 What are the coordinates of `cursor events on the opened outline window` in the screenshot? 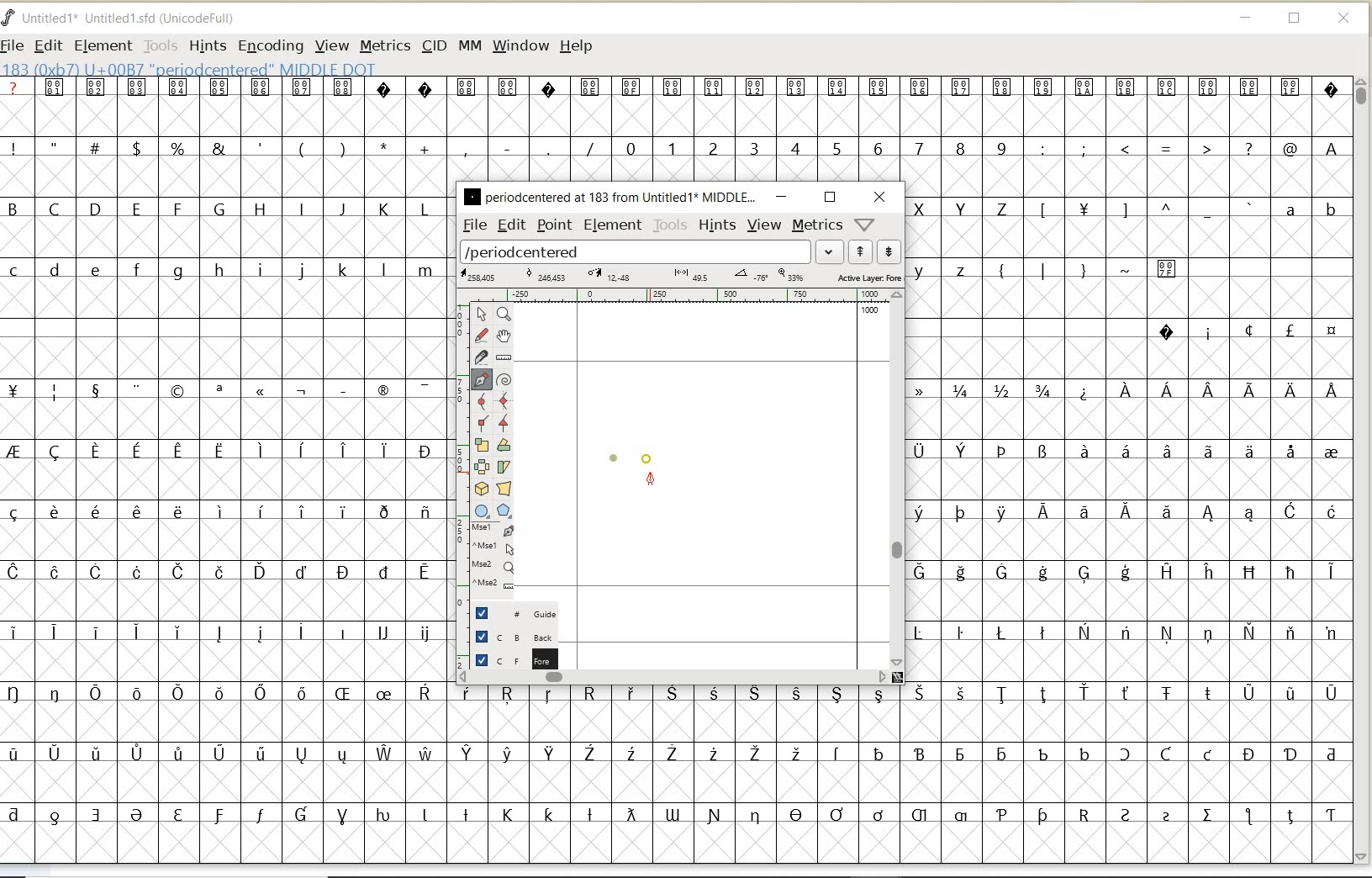 It's located at (493, 557).